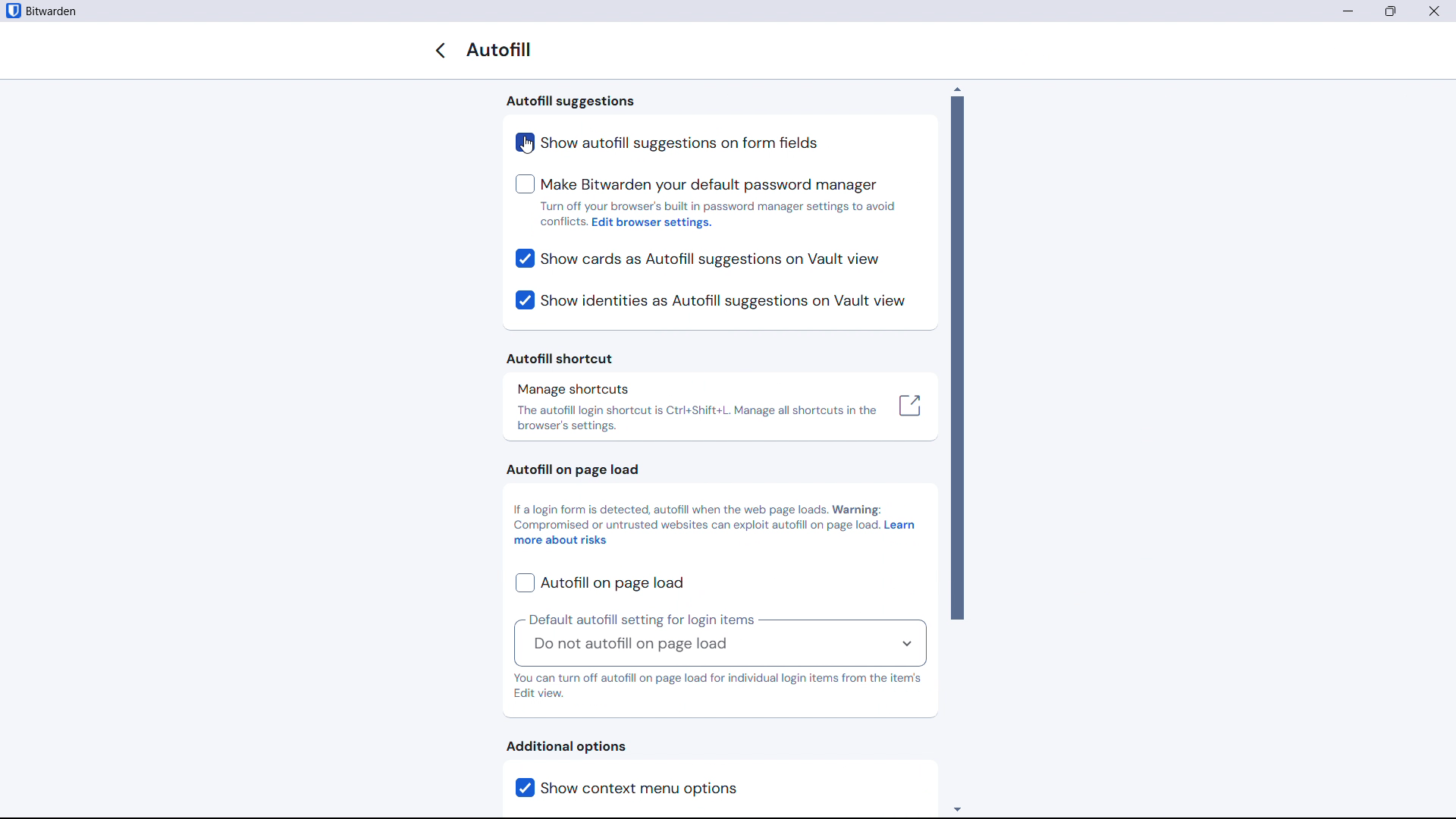  Describe the element at coordinates (696, 185) in the screenshot. I see `Make bit warden your default password manager` at that location.